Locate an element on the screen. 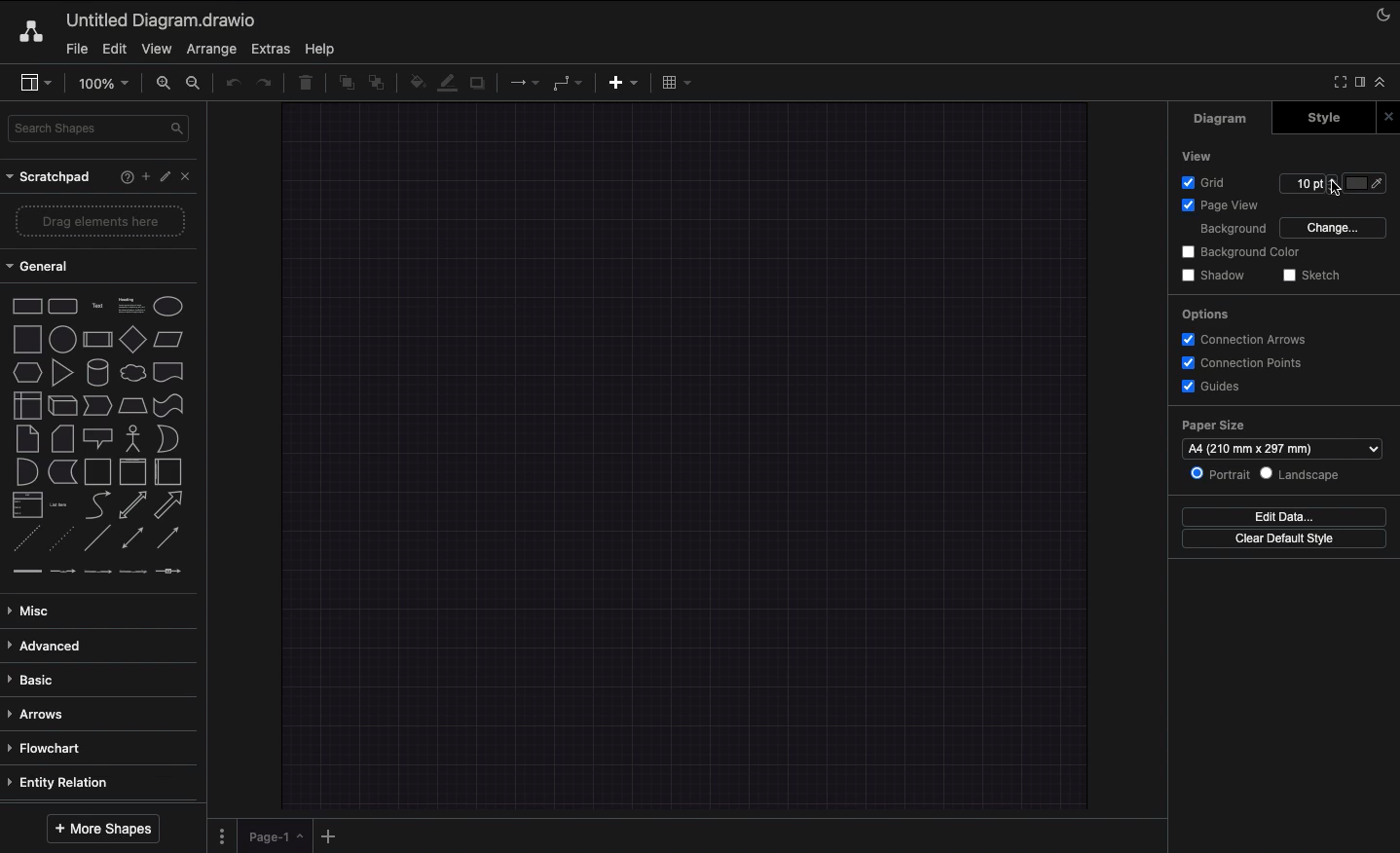  Connection points is located at coordinates (1246, 362).